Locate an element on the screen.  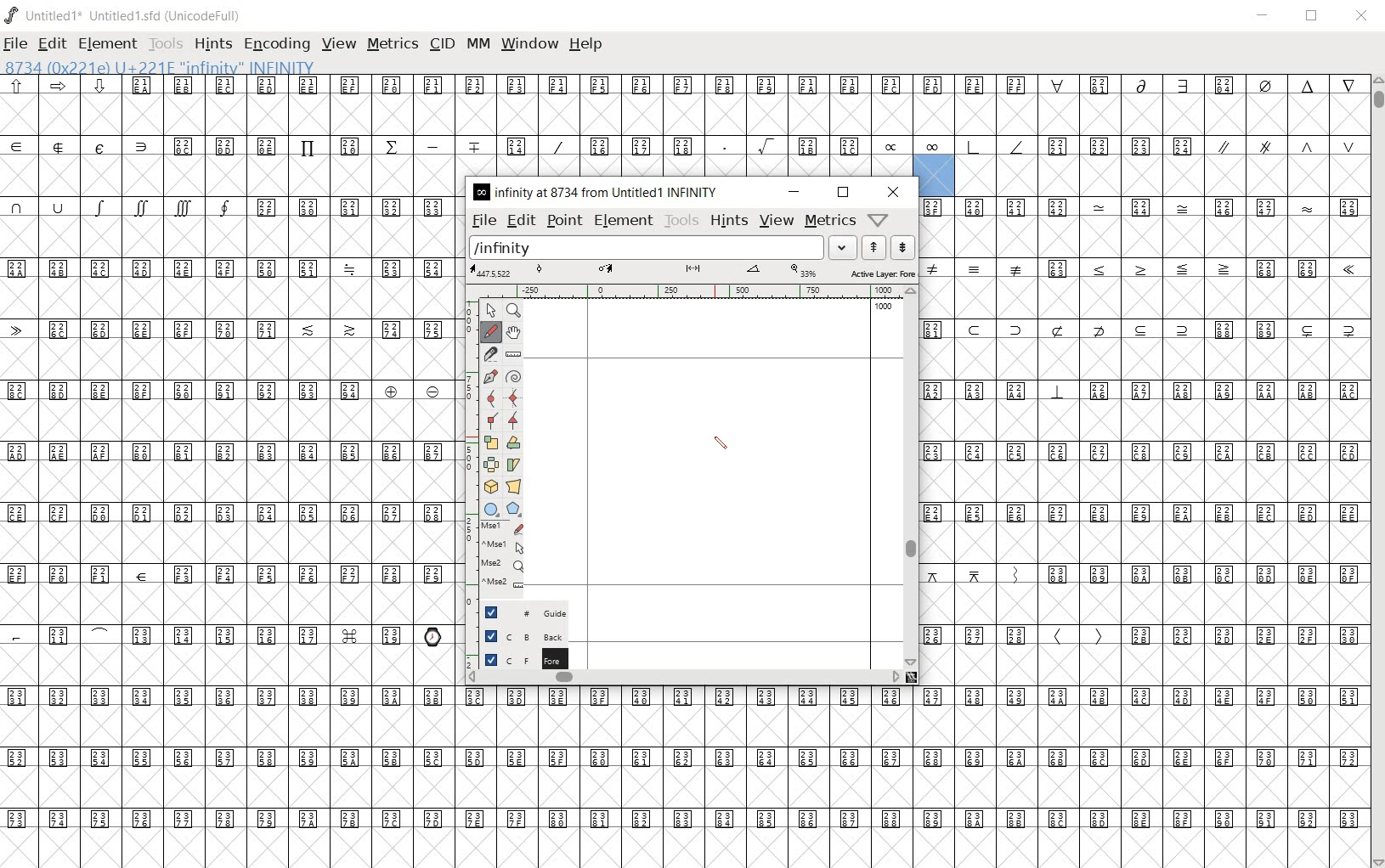
ruler is located at coordinates (691, 291).